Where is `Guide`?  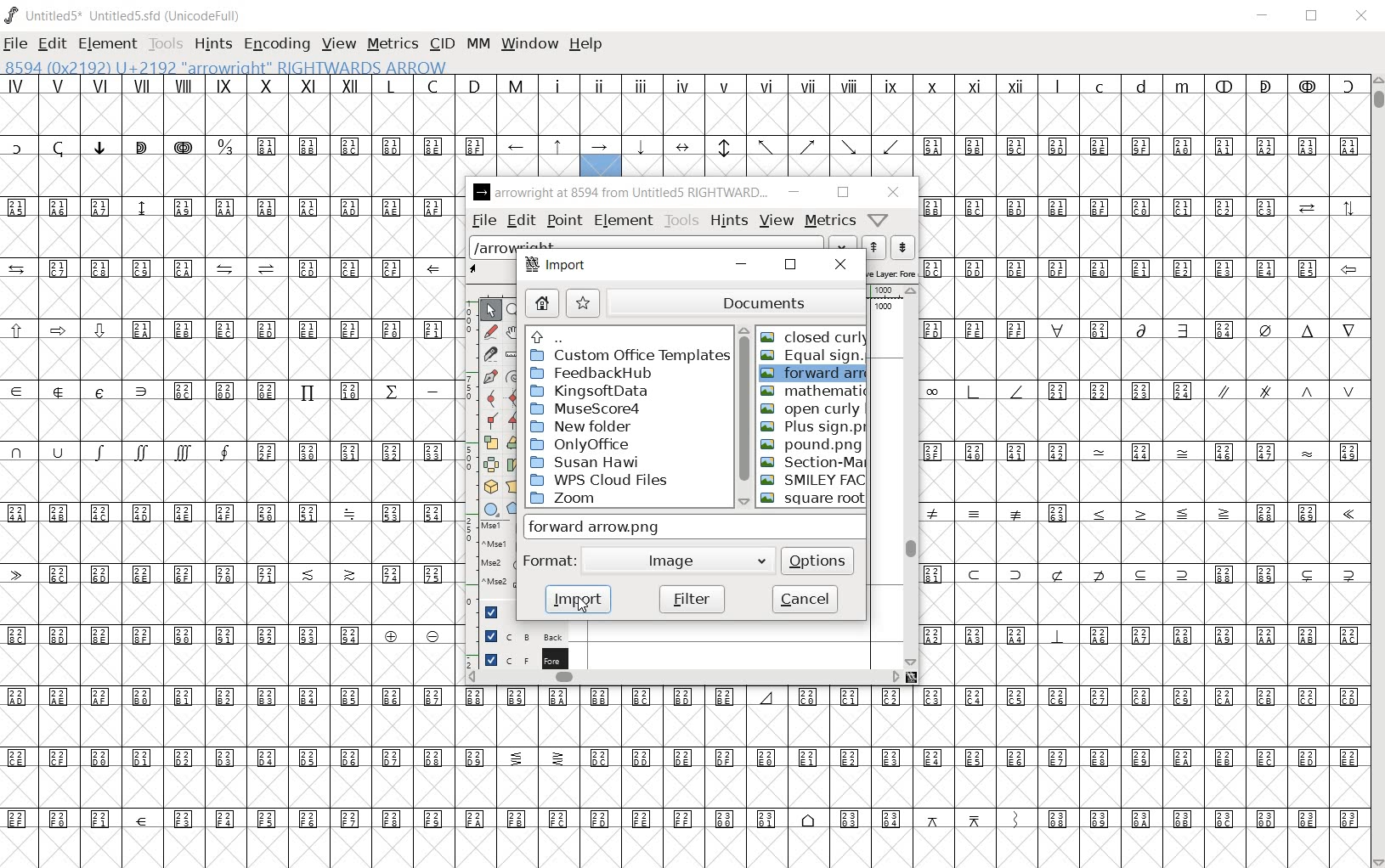
Guide is located at coordinates (489, 612).